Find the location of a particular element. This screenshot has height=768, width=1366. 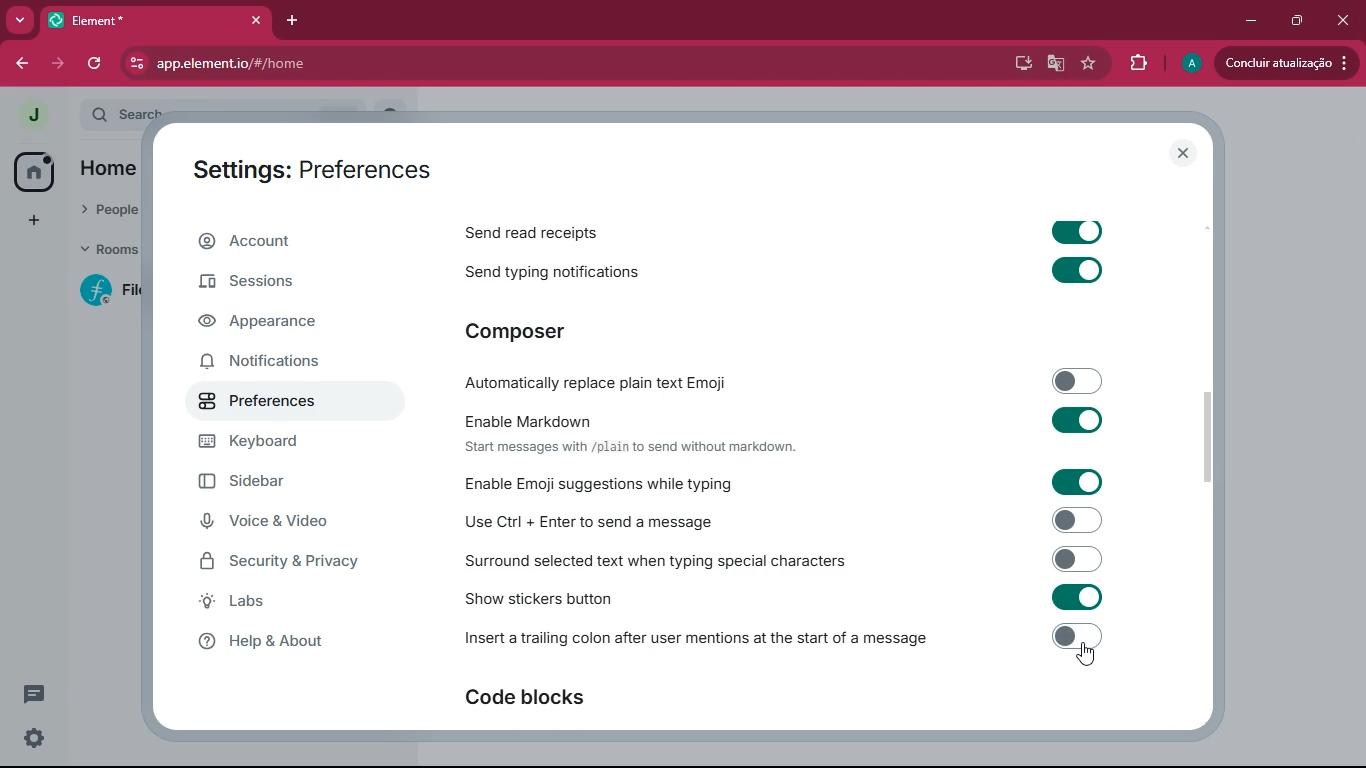

code blocks is located at coordinates (534, 697).